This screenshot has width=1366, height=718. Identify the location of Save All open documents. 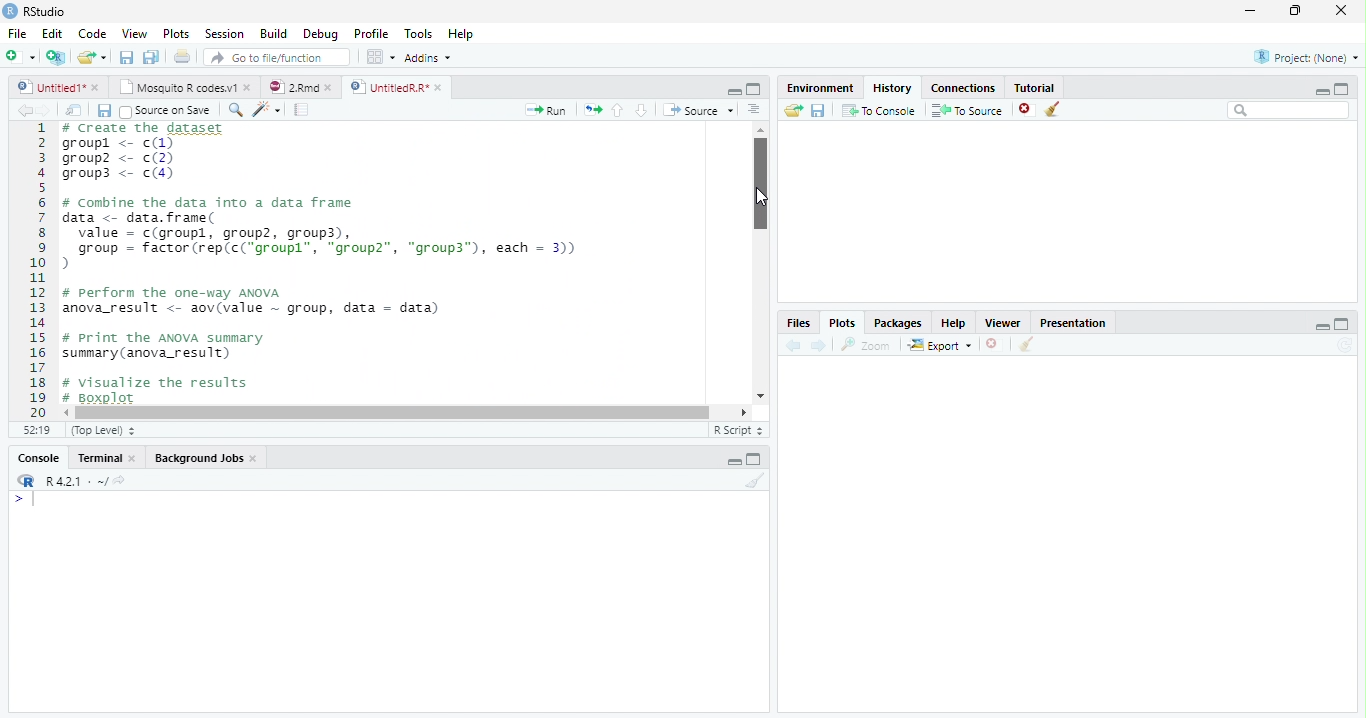
(150, 57).